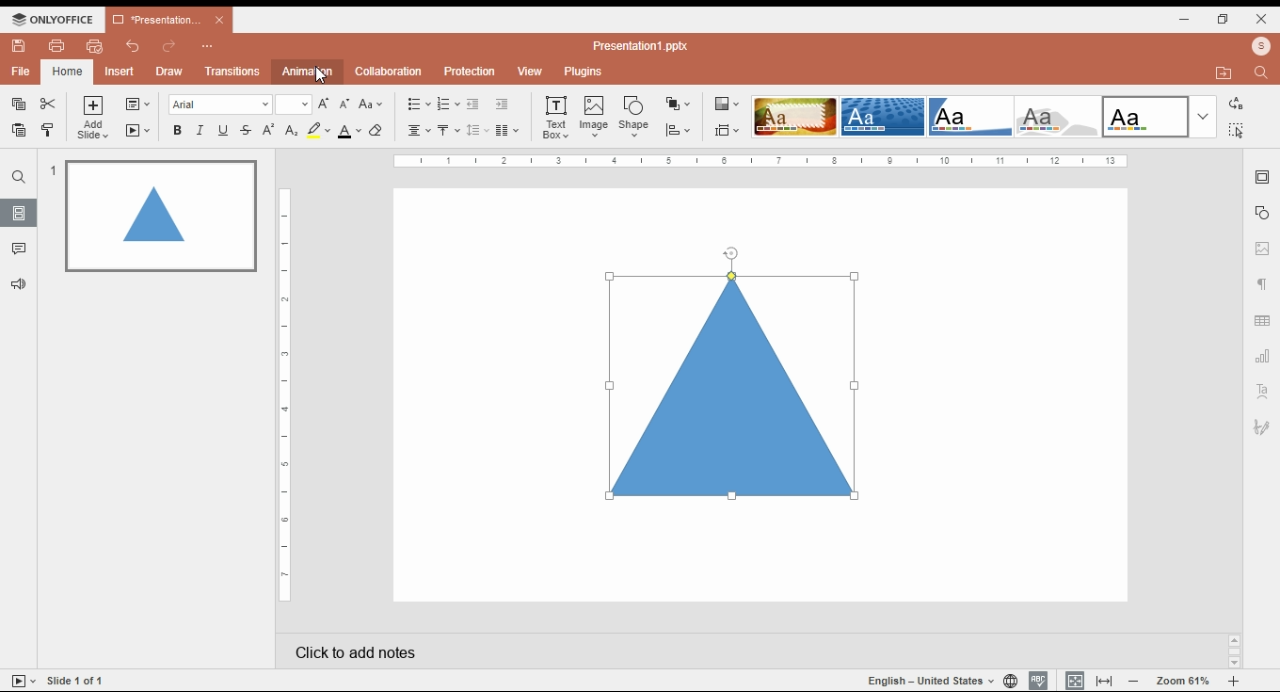  Describe the element at coordinates (641, 46) in the screenshot. I see `title` at that location.